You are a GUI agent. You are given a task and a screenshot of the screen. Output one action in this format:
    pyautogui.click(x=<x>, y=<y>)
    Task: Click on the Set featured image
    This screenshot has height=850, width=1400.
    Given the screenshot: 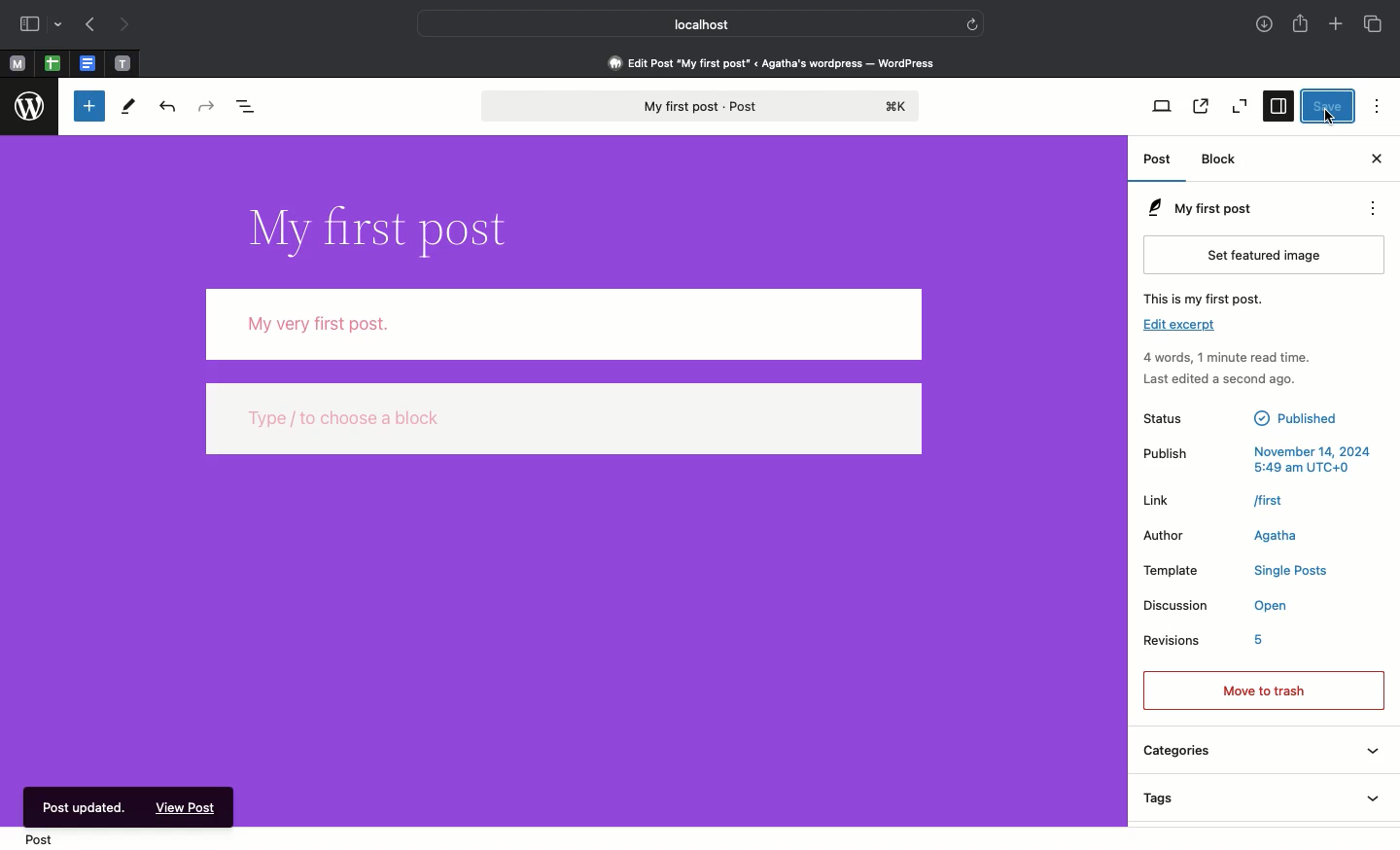 What is the action you would take?
    pyautogui.click(x=1268, y=254)
    